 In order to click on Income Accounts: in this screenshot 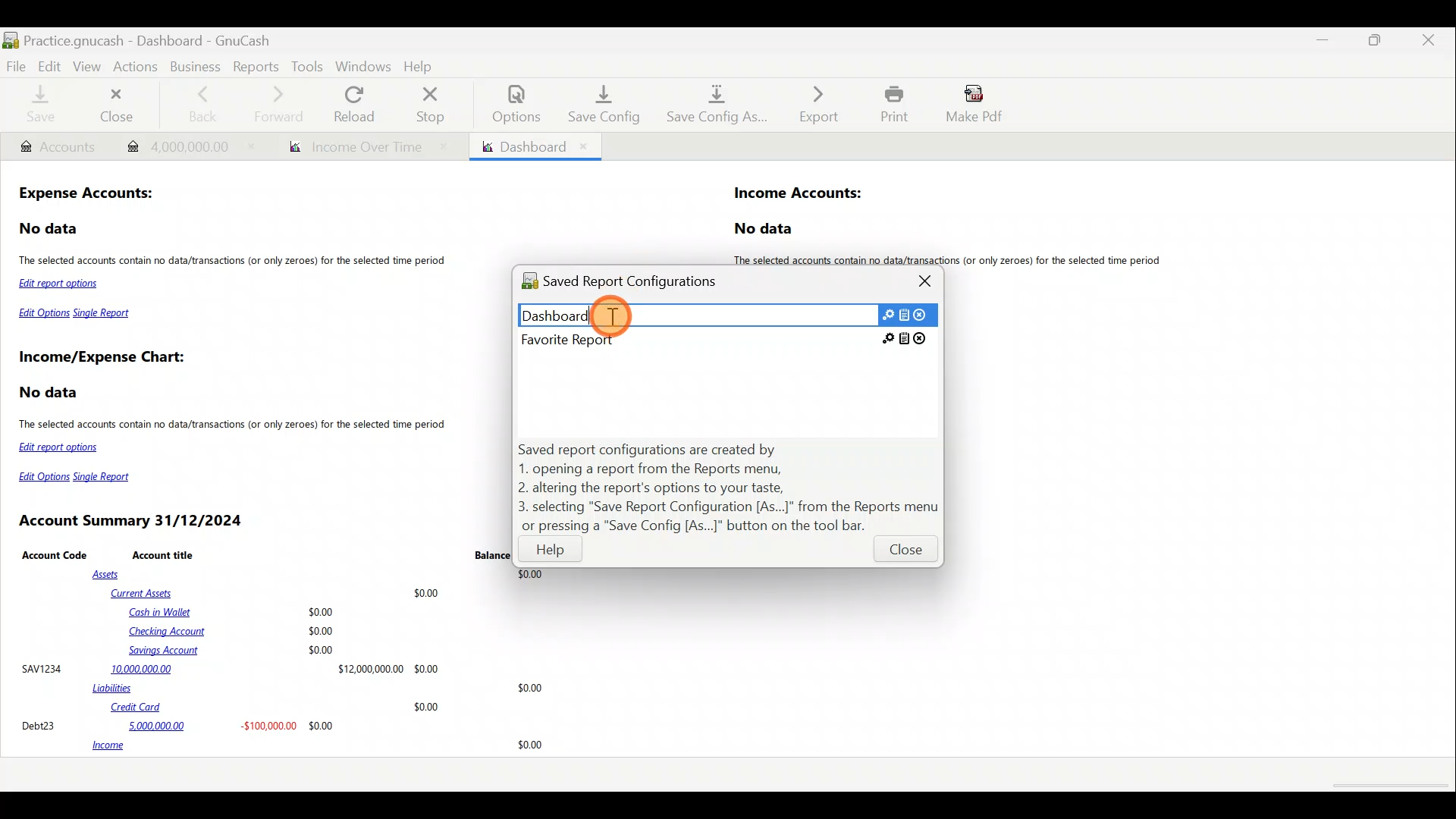, I will do `click(799, 194)`.